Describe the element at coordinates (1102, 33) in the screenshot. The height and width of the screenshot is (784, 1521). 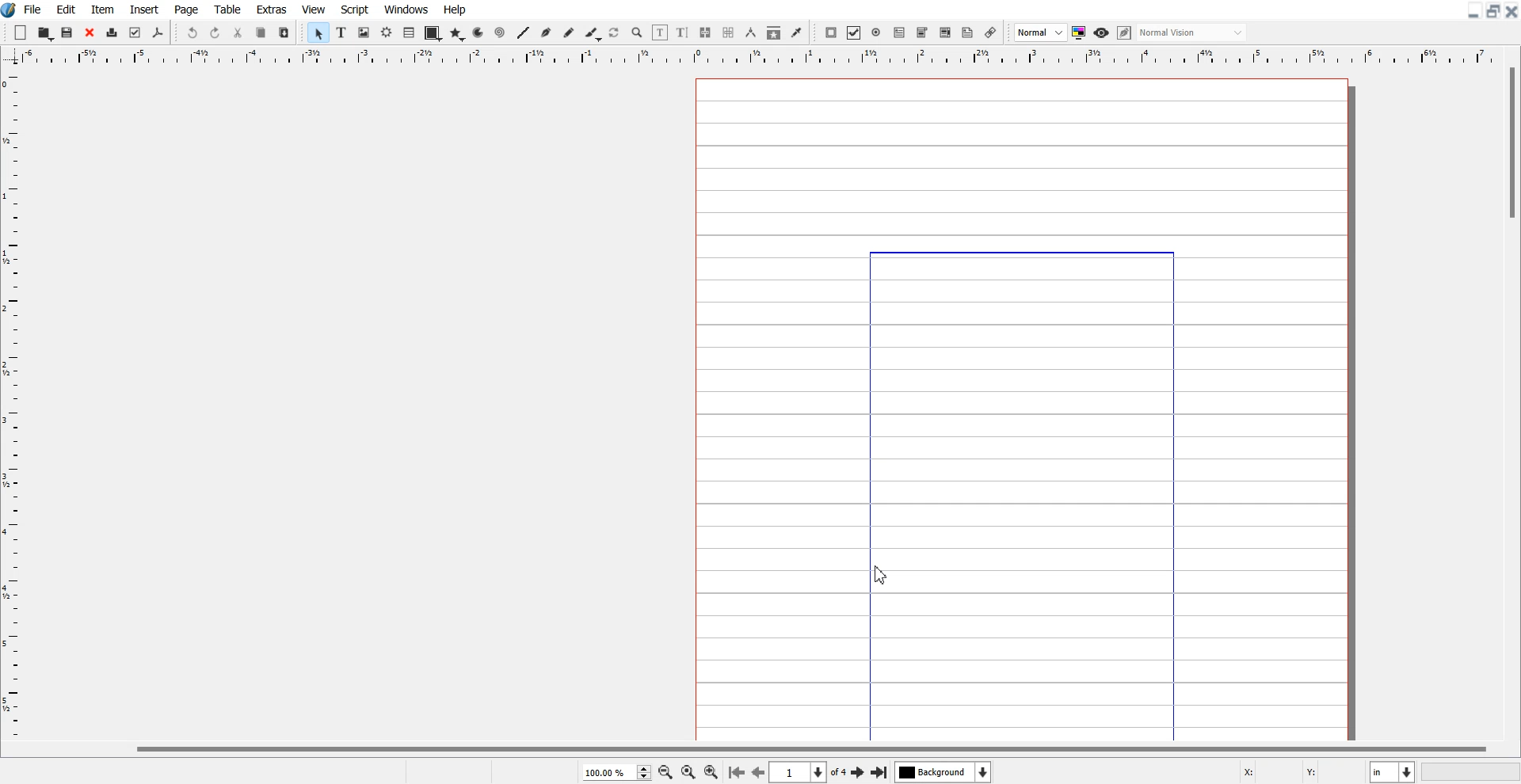
I see `Preview mode` at that location.